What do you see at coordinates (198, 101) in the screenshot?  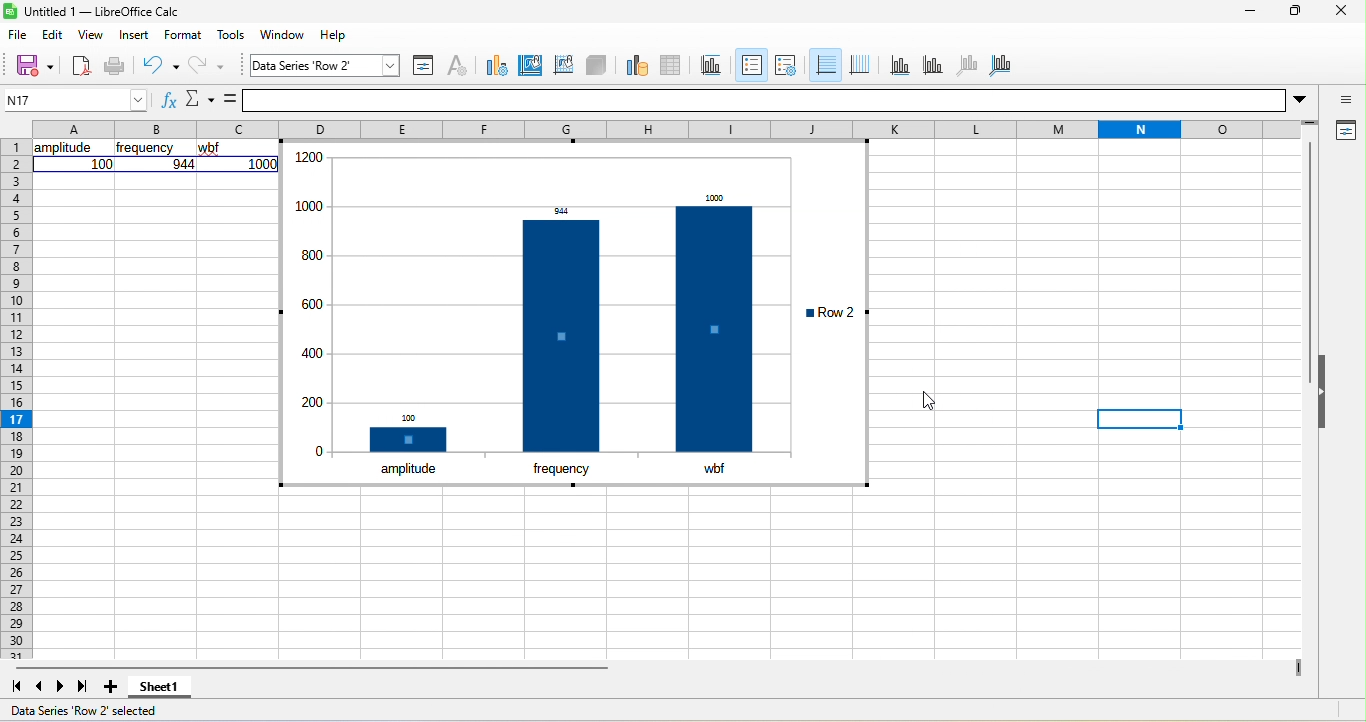 I see `select function` at bounding box center [198, 101].